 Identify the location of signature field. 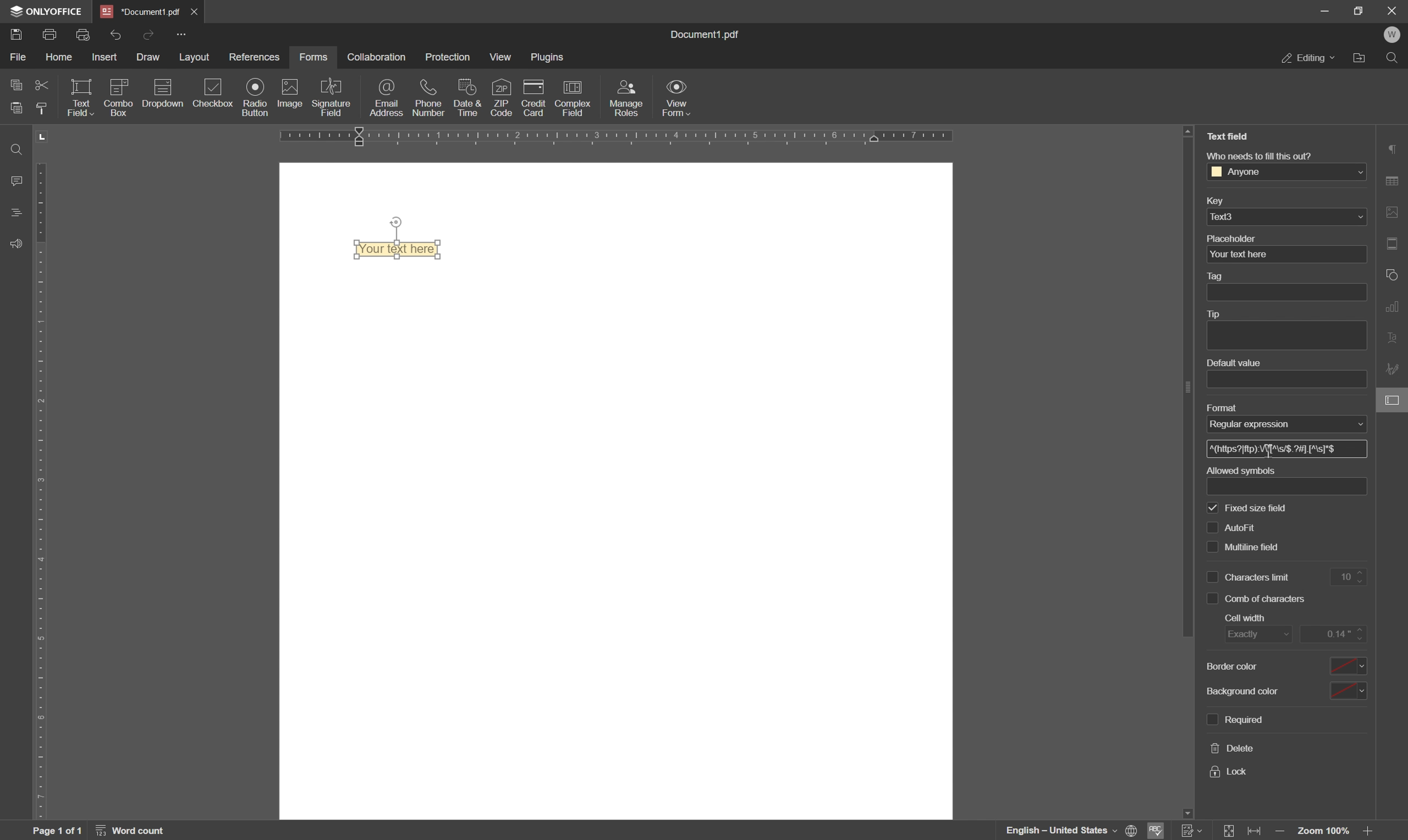
(333, 97).